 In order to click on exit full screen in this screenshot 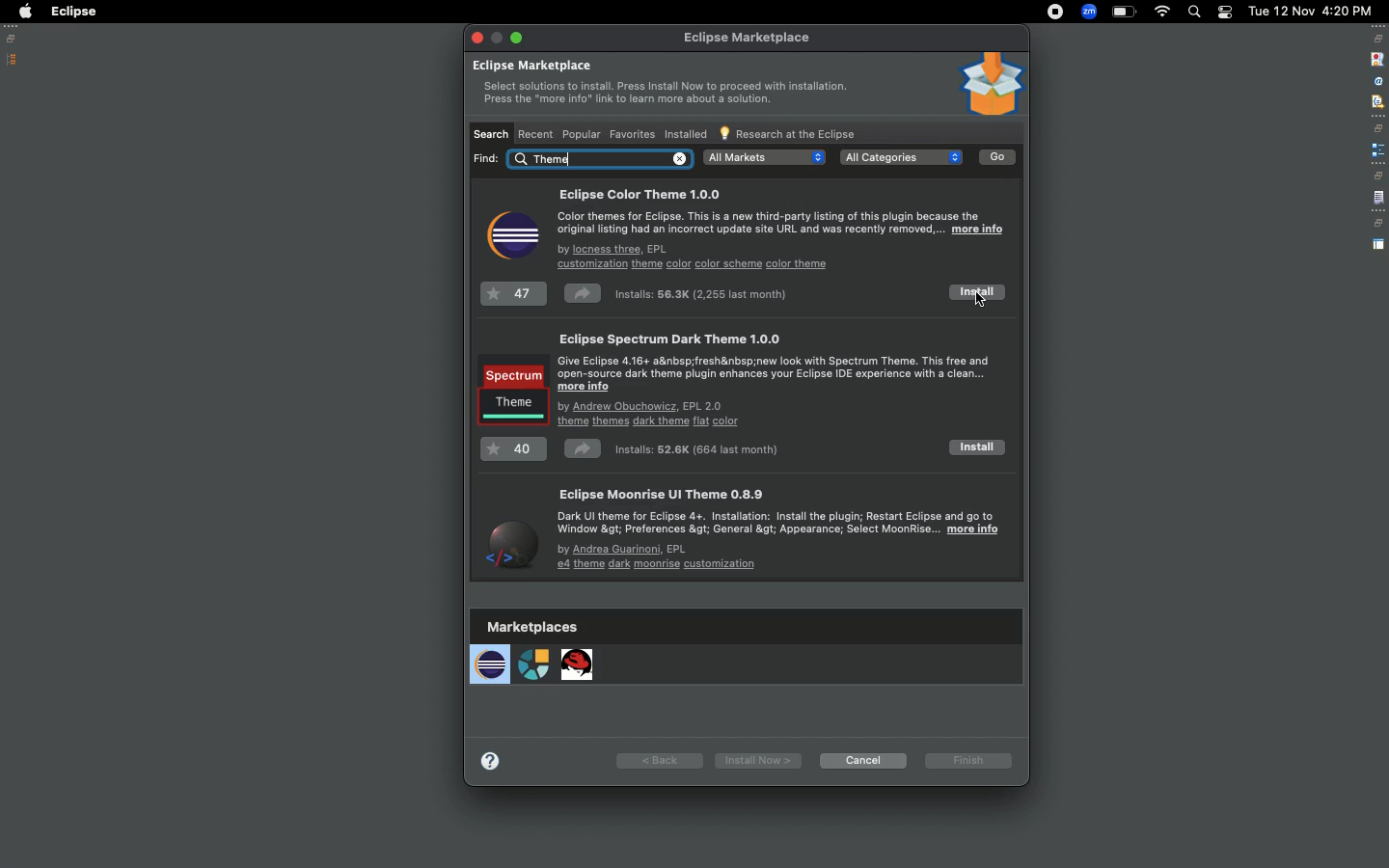, I will do `click(519, 38)`.